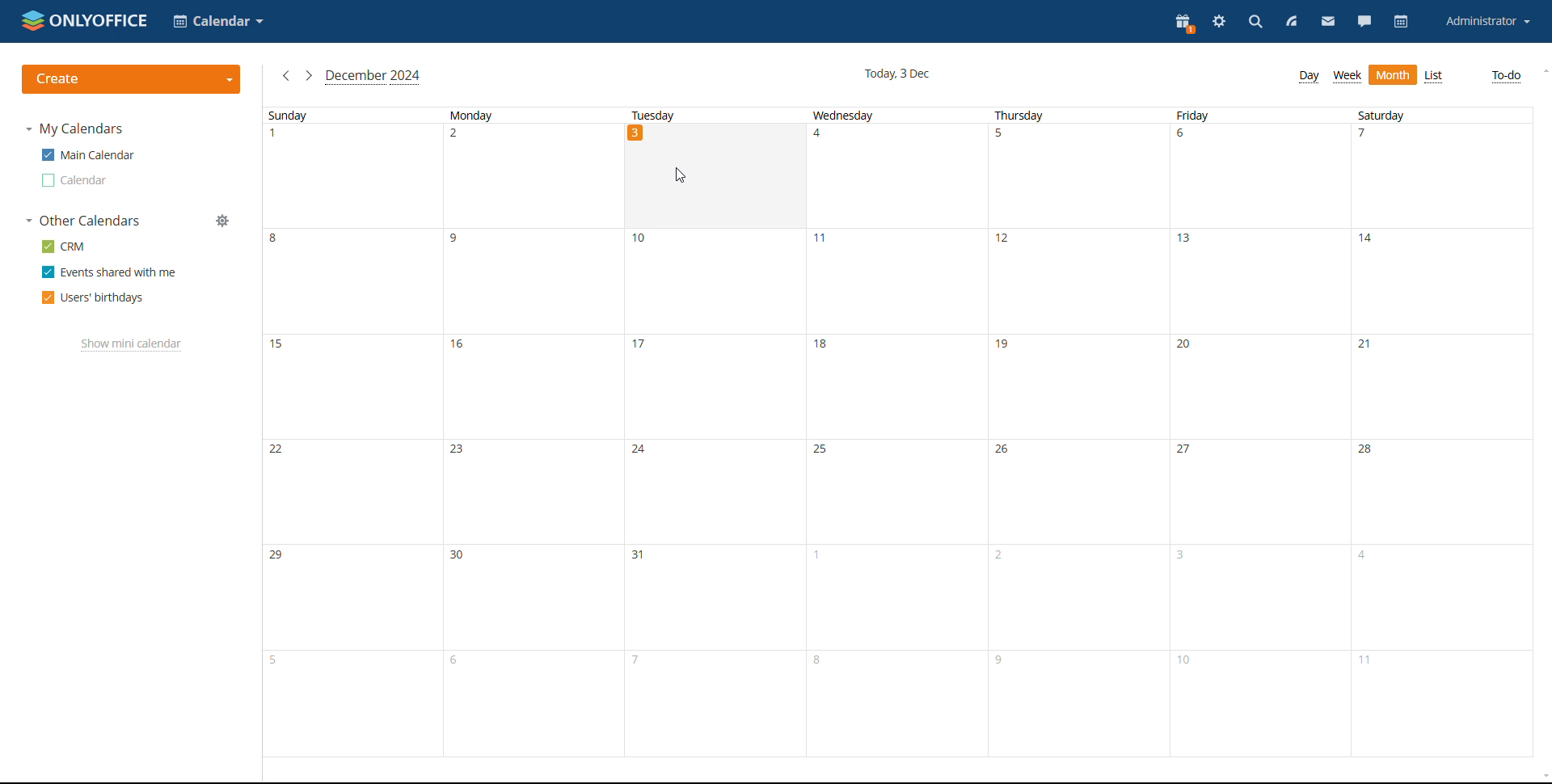 This screenshot has height=784, width=1552. I want to click on main calendar, so click(87, 154).